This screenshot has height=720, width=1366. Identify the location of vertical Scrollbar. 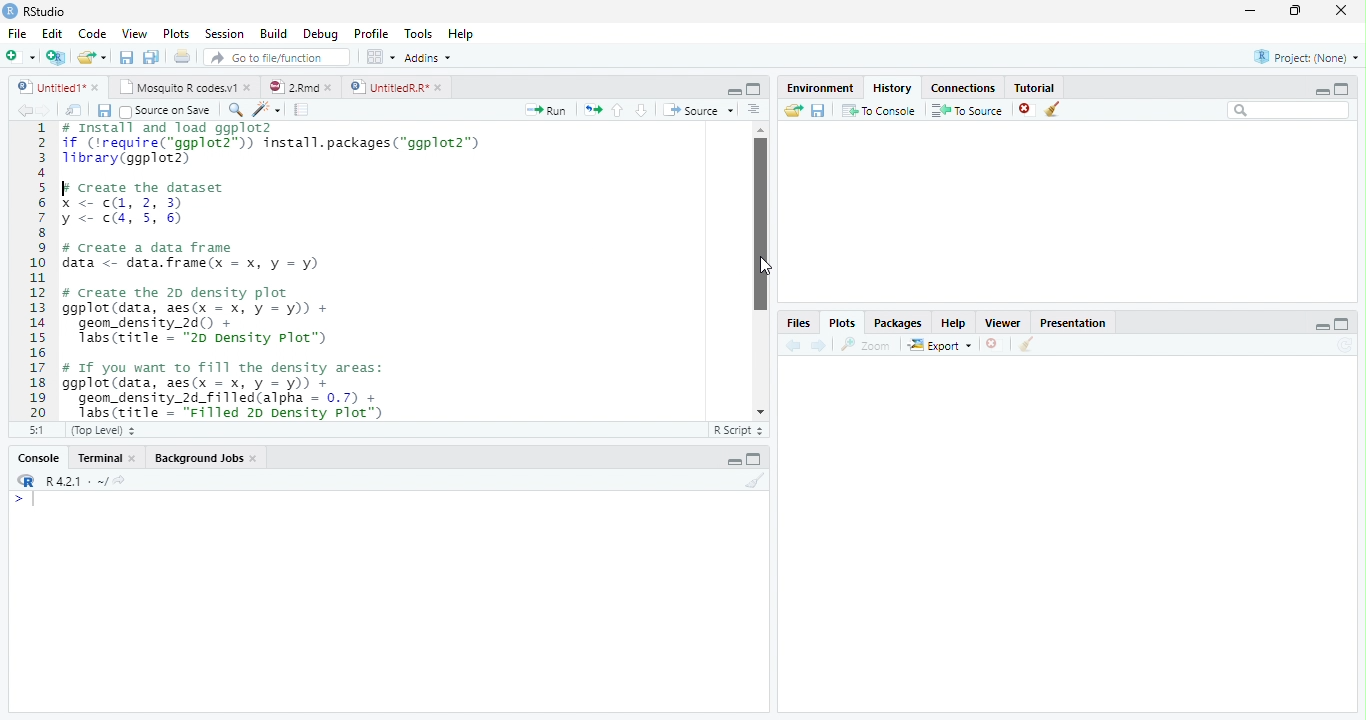
(759, 224).